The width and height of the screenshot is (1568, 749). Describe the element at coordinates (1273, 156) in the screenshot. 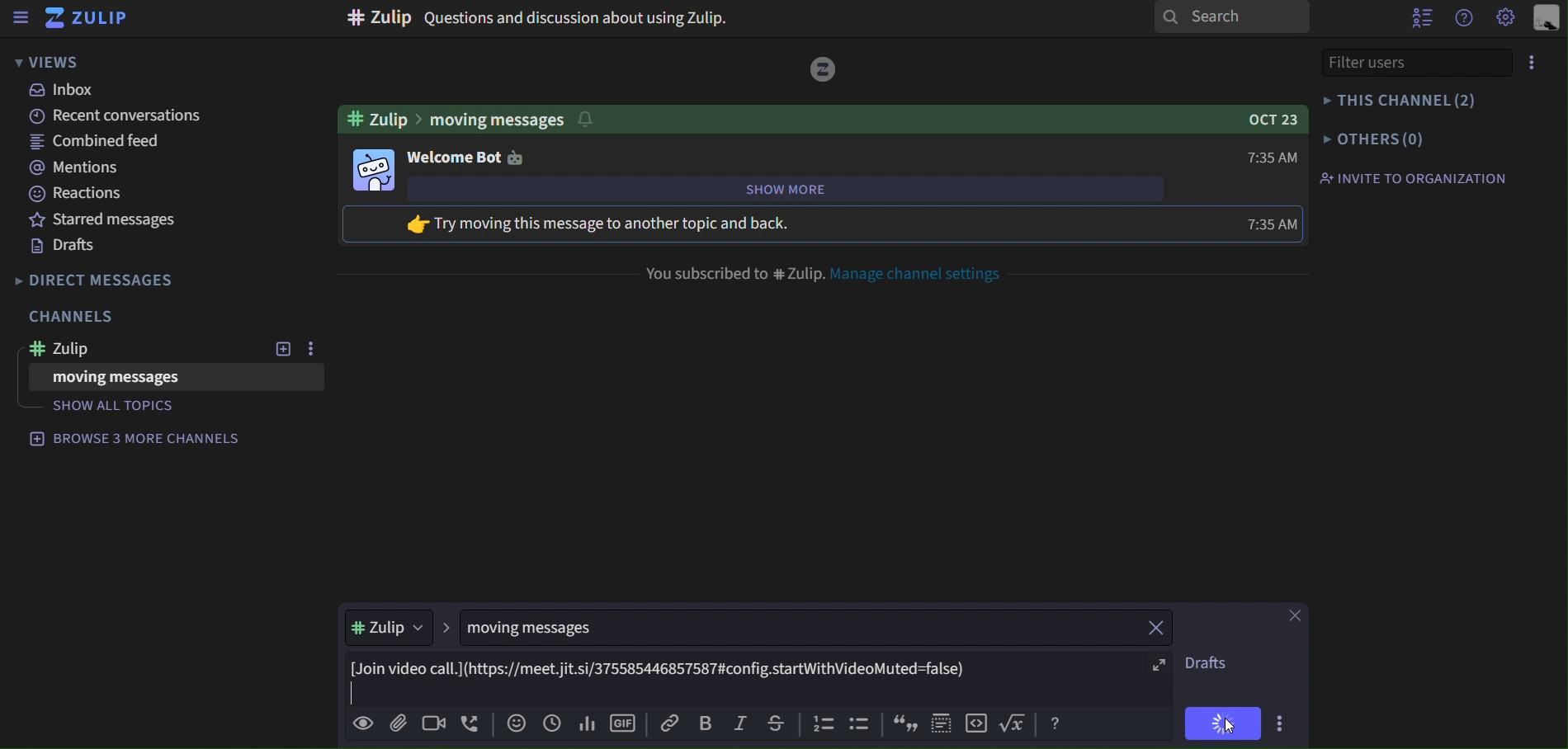

I see `7:35 AM` at that location.